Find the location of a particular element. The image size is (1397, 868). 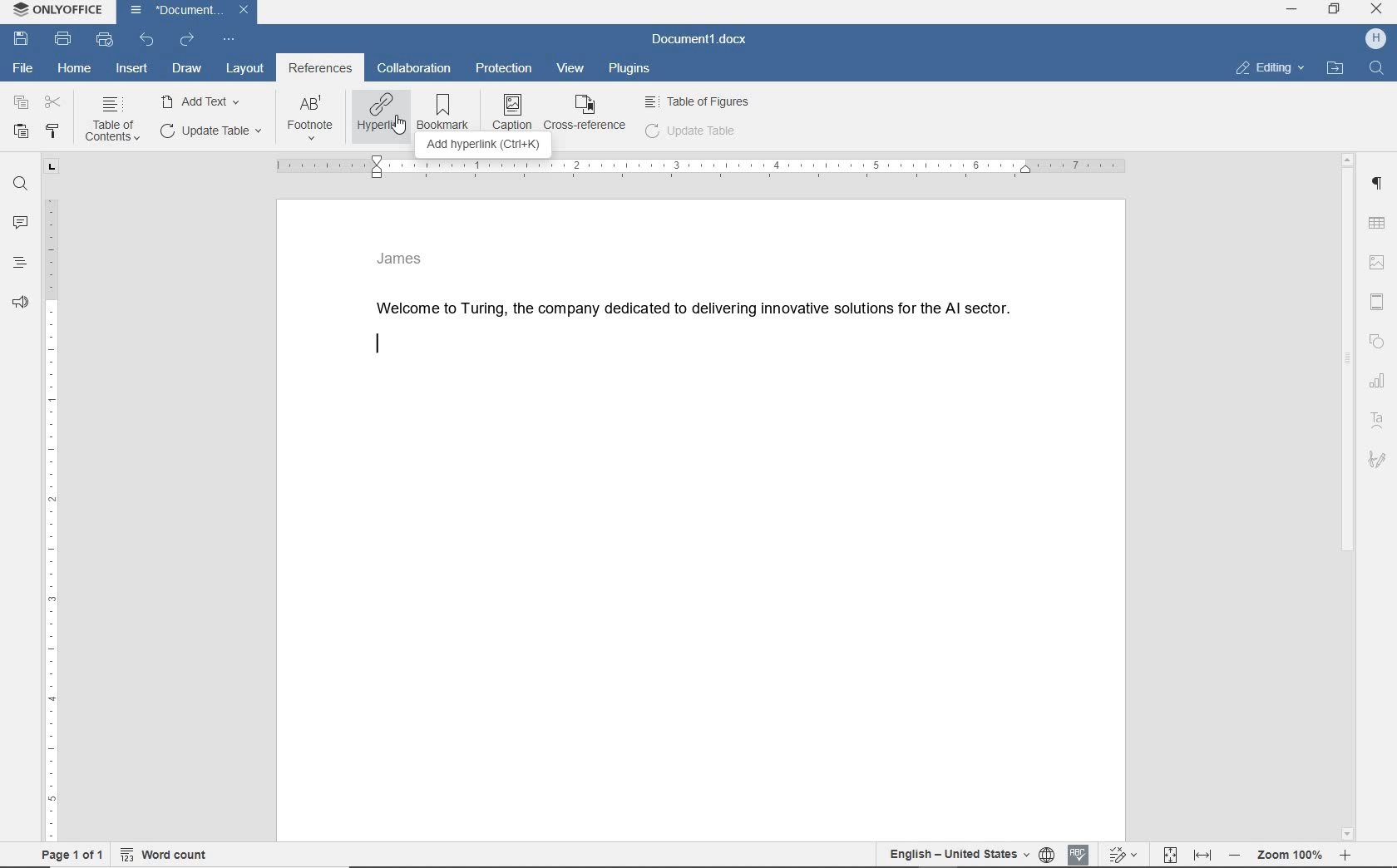

scrollbar is located at coordinates (1348, 495).